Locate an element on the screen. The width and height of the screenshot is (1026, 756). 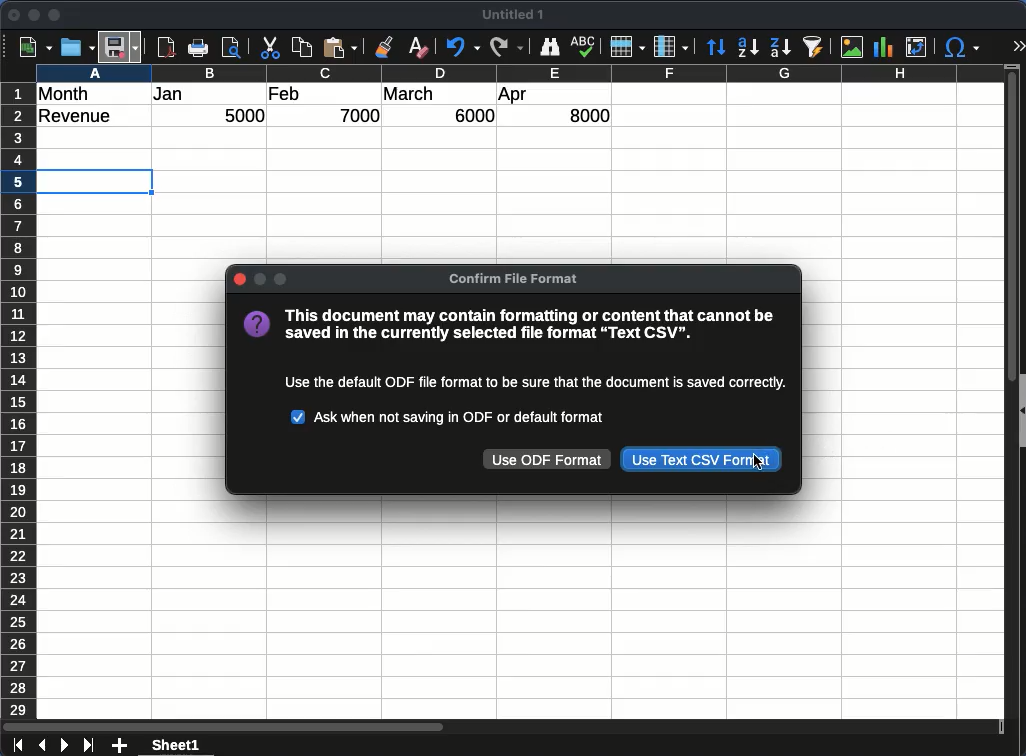
Print is located at coordinates (201, 48).